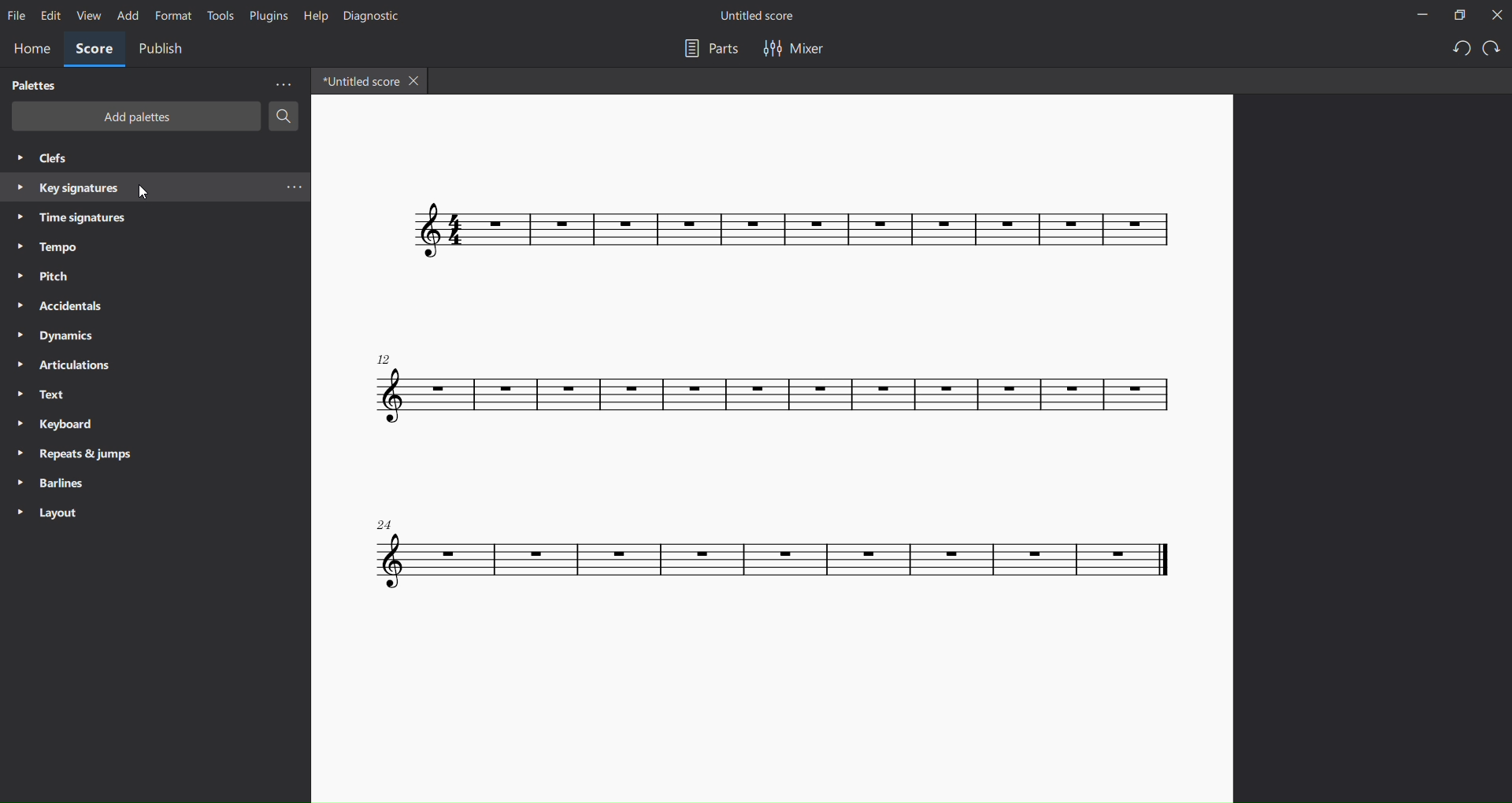  What do you see at coordinates (172, 15) in the screenshot?
I see `format` at bounding box center [172, 15].